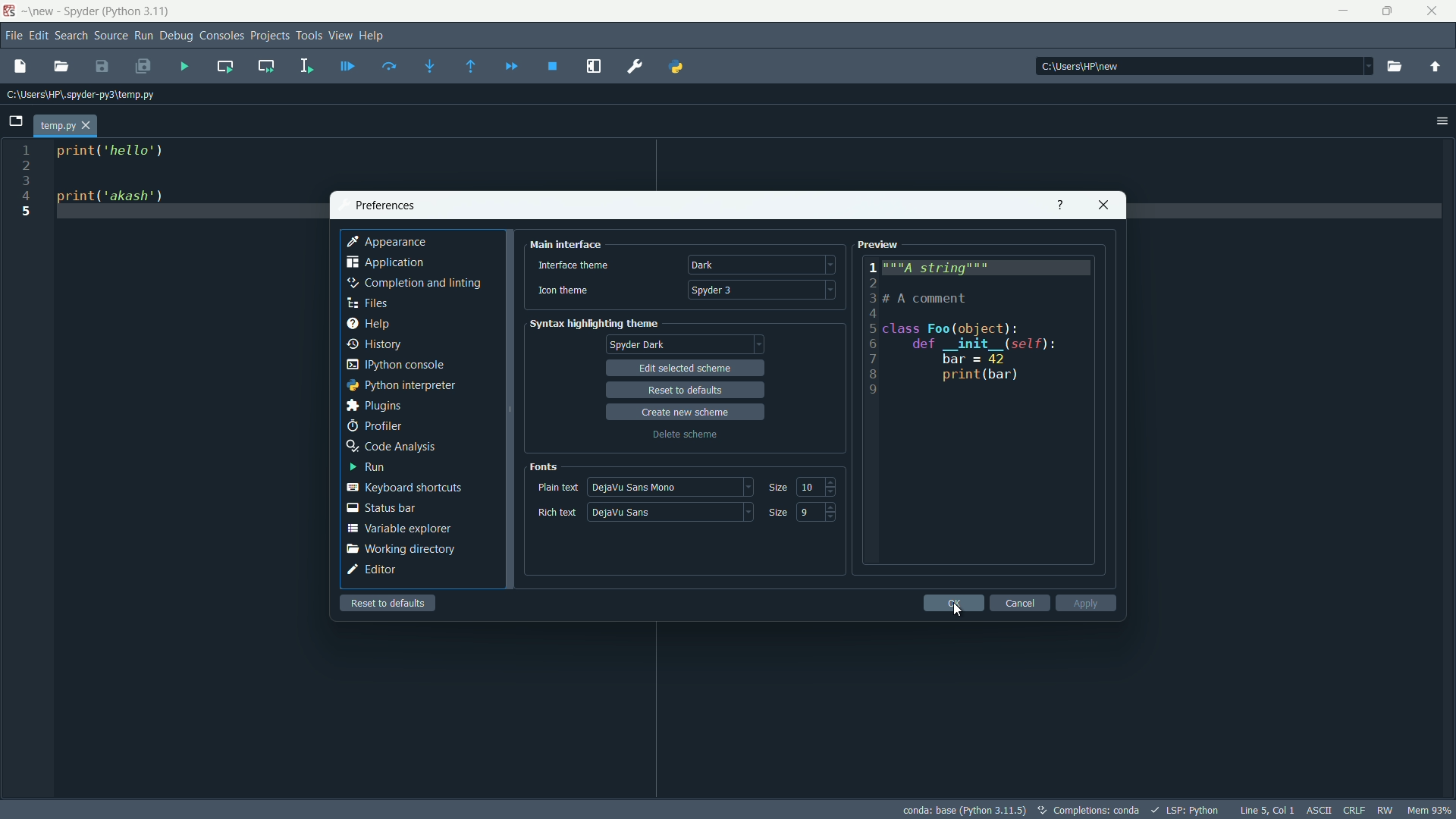 The height and width of the screenshot is (819, 1456). What do you see at coordinates (1080, 67) in the screenshot?
I see `C:\Users\HP\new` at bounding box center [1080, 67].